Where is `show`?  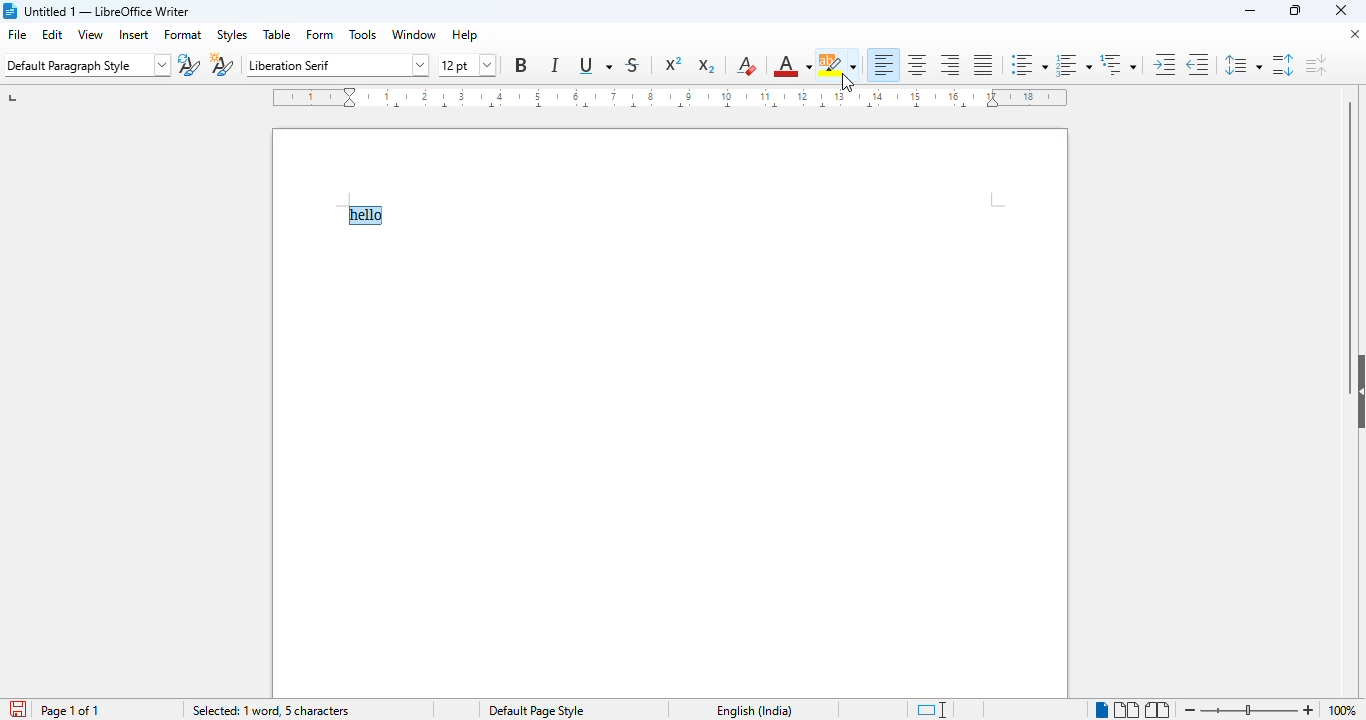
show is located at coordinates (1357, 392).